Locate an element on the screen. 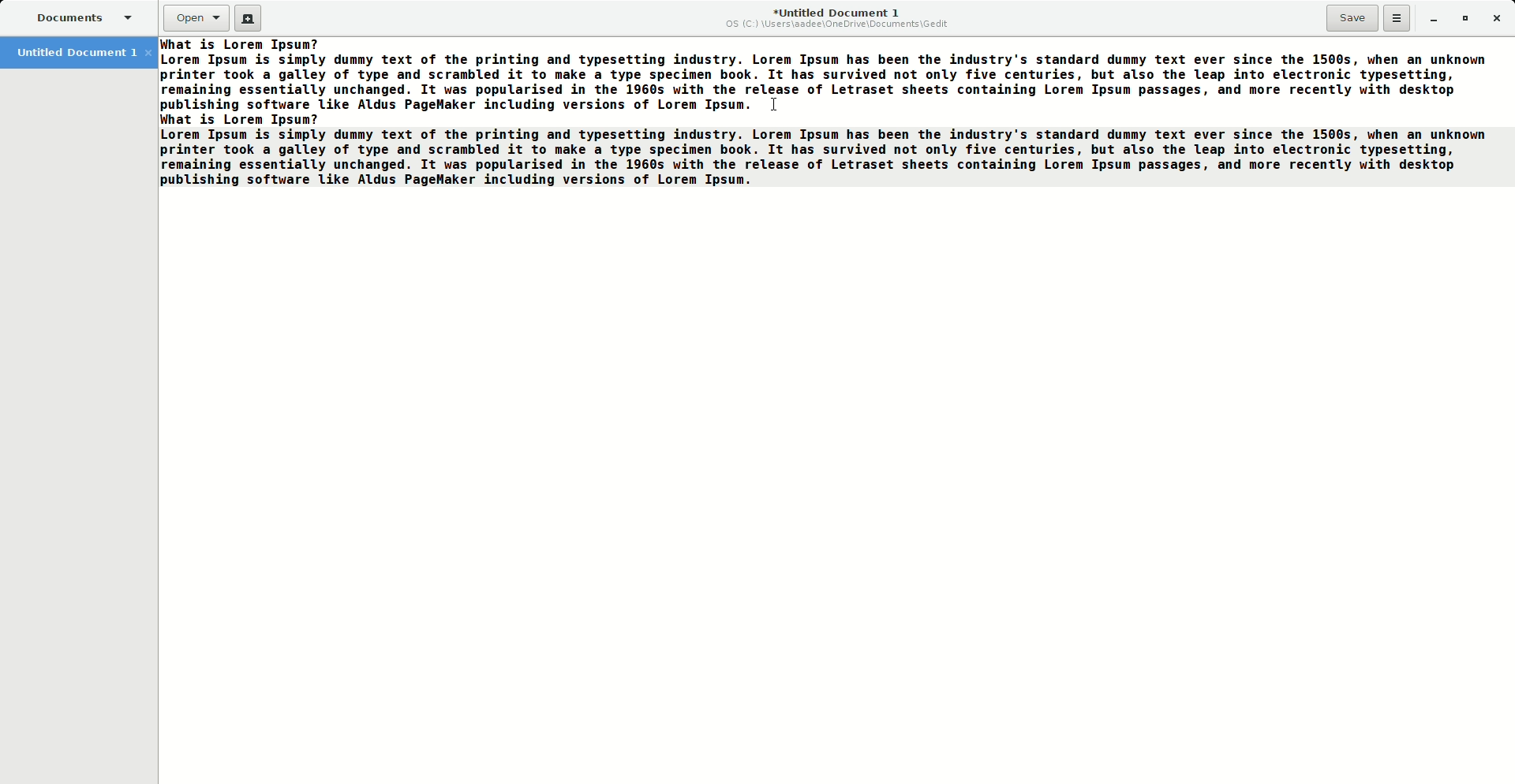 The height and width of the screenshot is (784, 1515). Filler text is located at coordinates (826, 74).